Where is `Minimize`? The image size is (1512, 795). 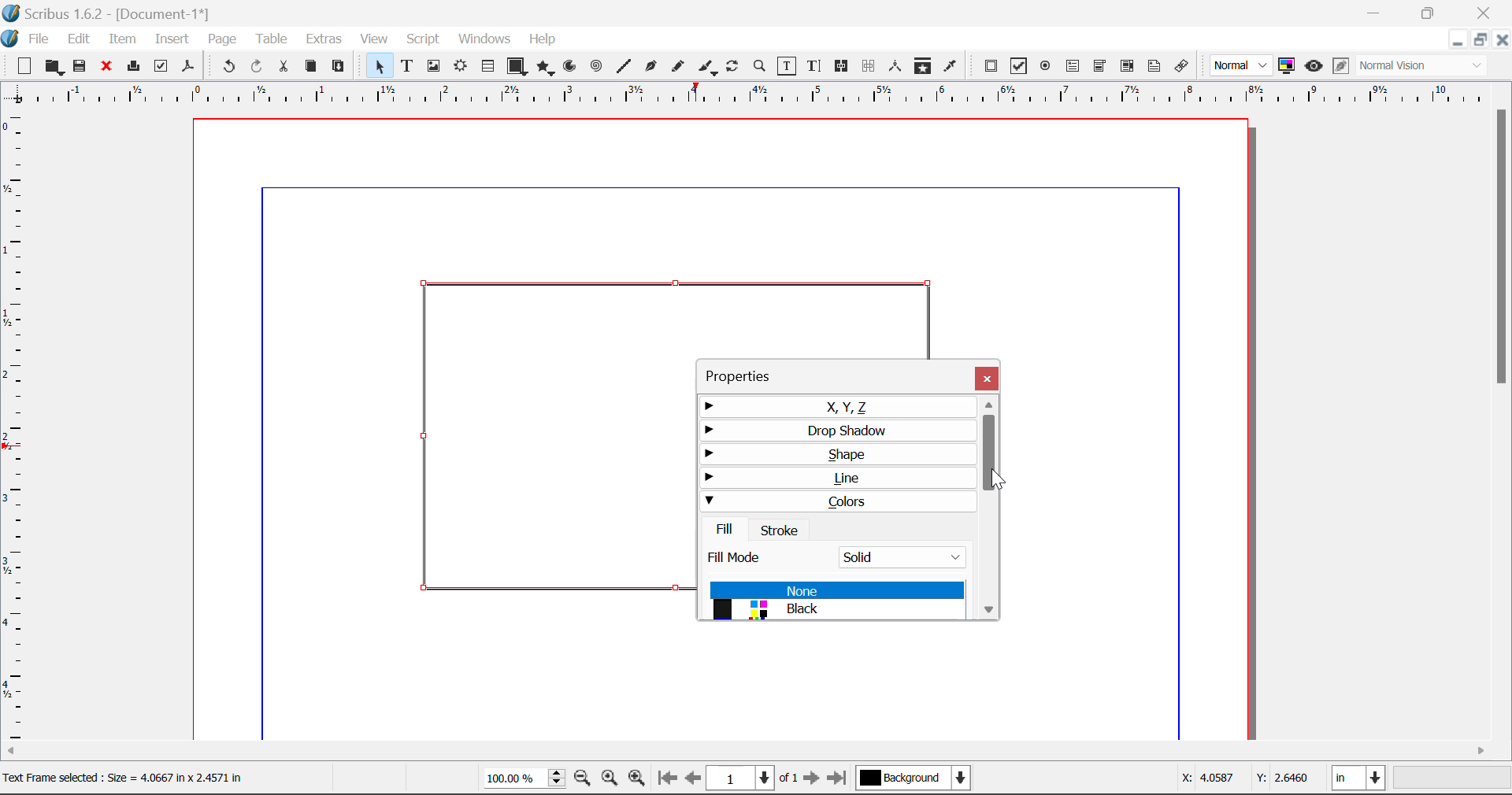
Minimize is located at coordinates (1431, 12).